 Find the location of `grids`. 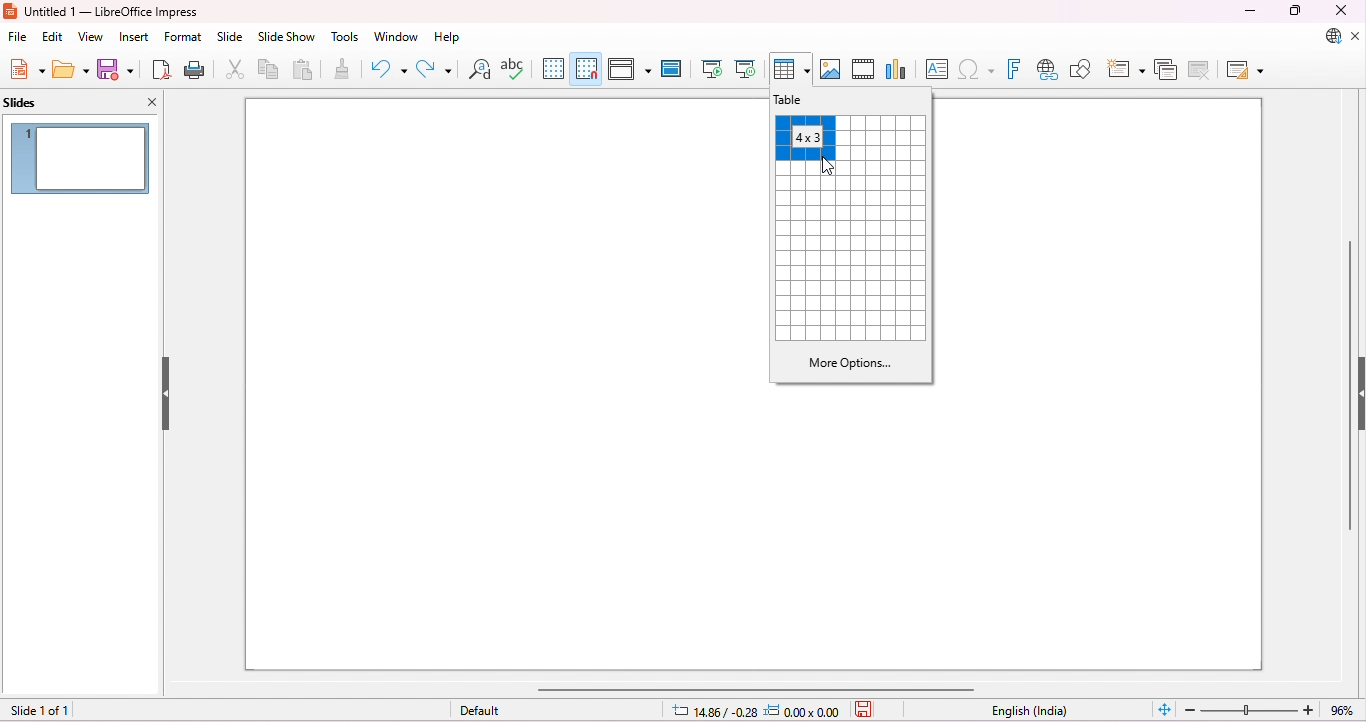

grids is located at coordinates (854, 253).